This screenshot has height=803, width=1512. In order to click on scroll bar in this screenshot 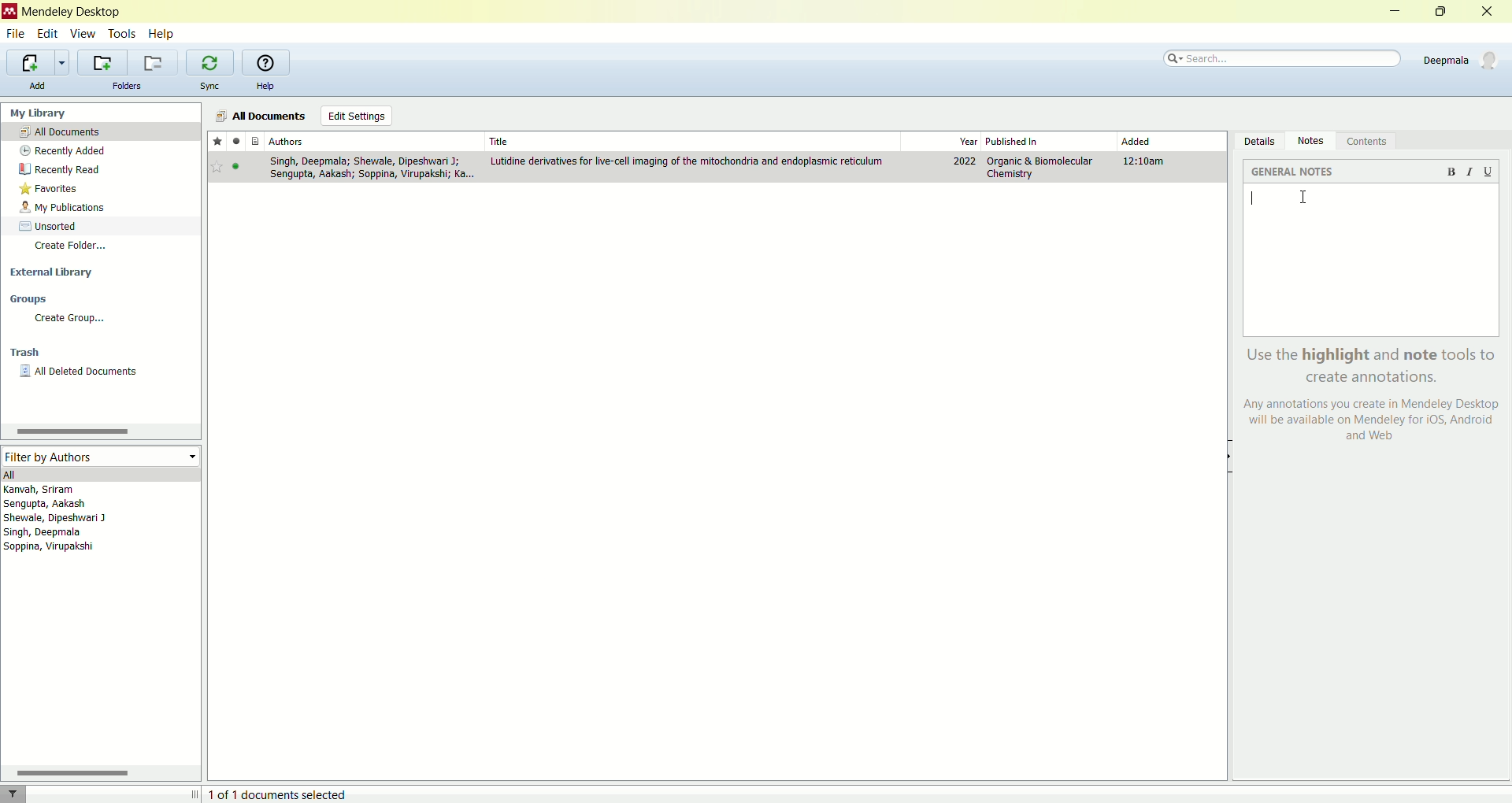, I will do `click(98, 772)`.